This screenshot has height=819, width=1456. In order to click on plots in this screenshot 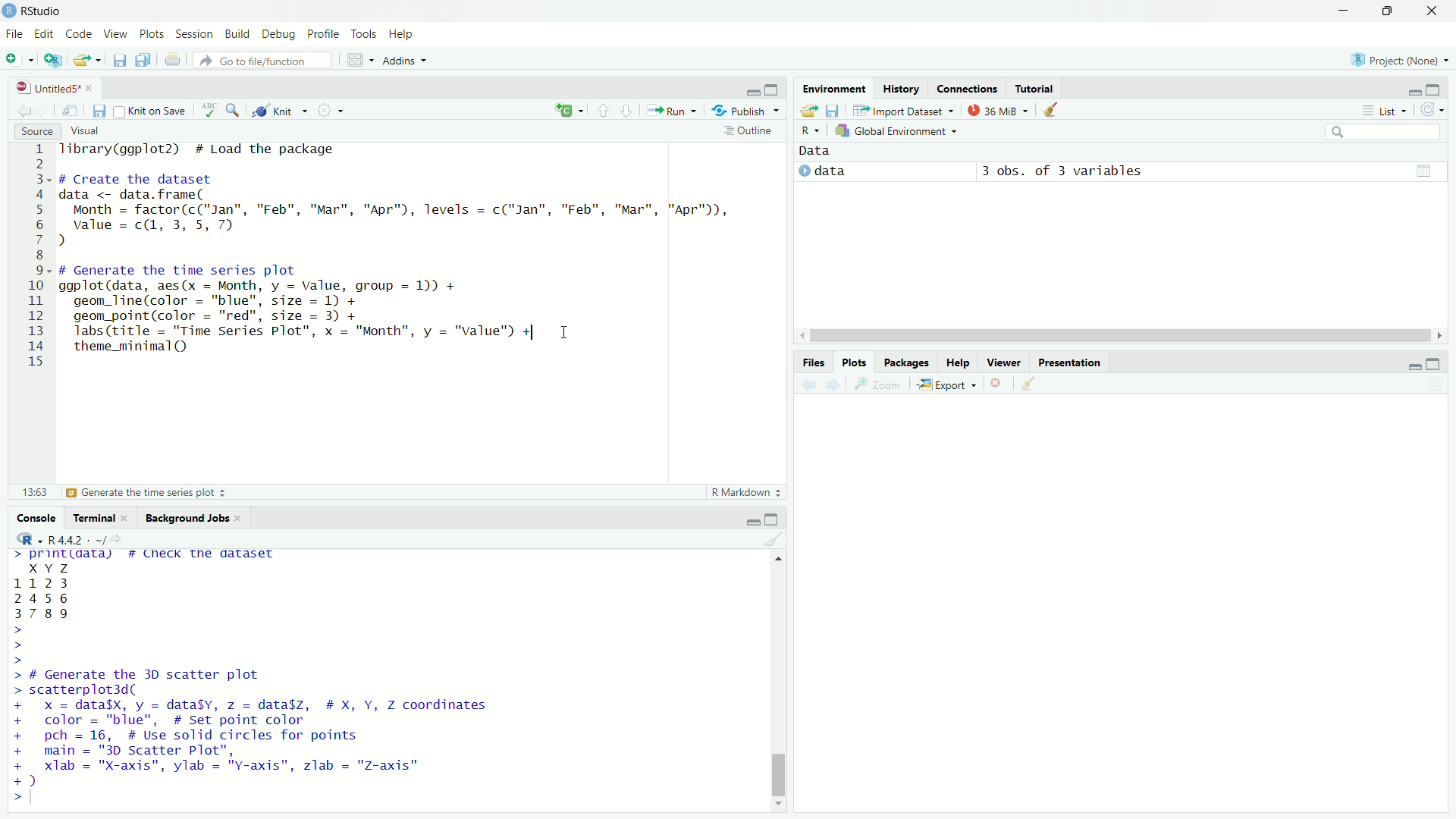, I will do `click(152, 34)`.